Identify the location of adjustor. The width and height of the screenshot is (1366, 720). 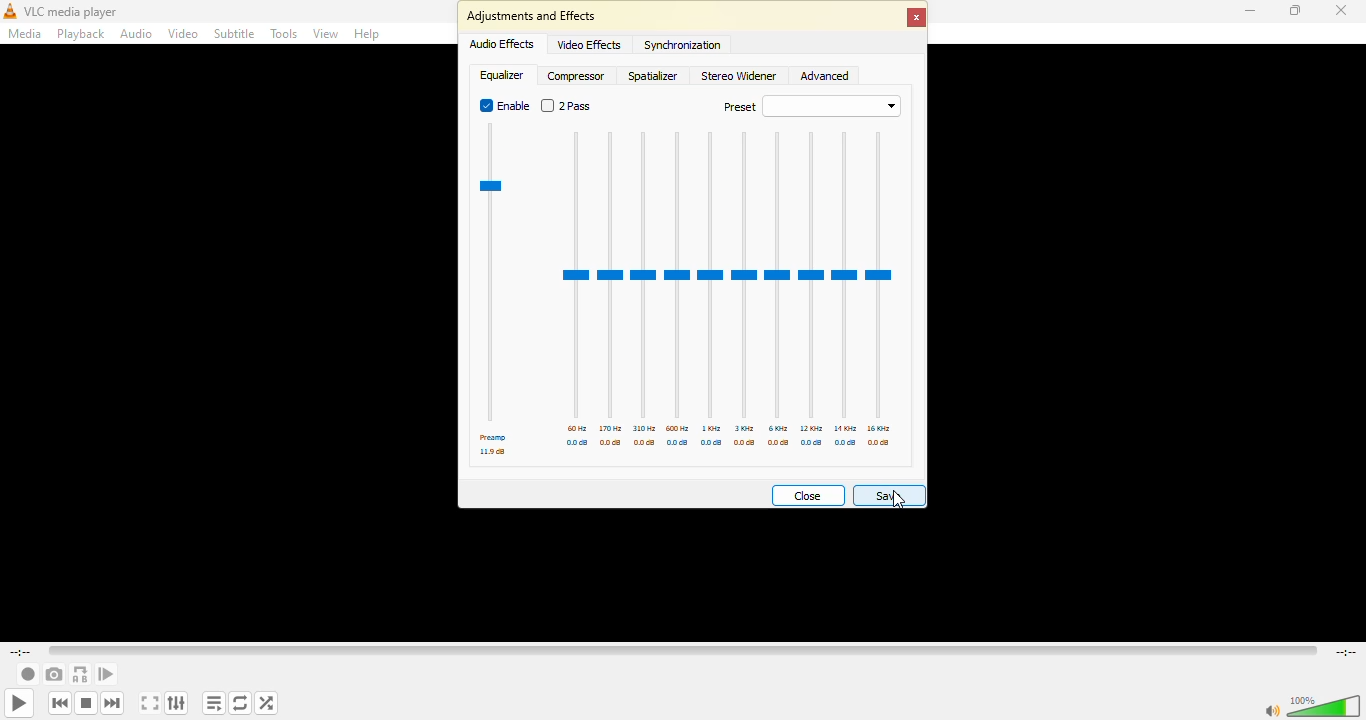
(746, 276).